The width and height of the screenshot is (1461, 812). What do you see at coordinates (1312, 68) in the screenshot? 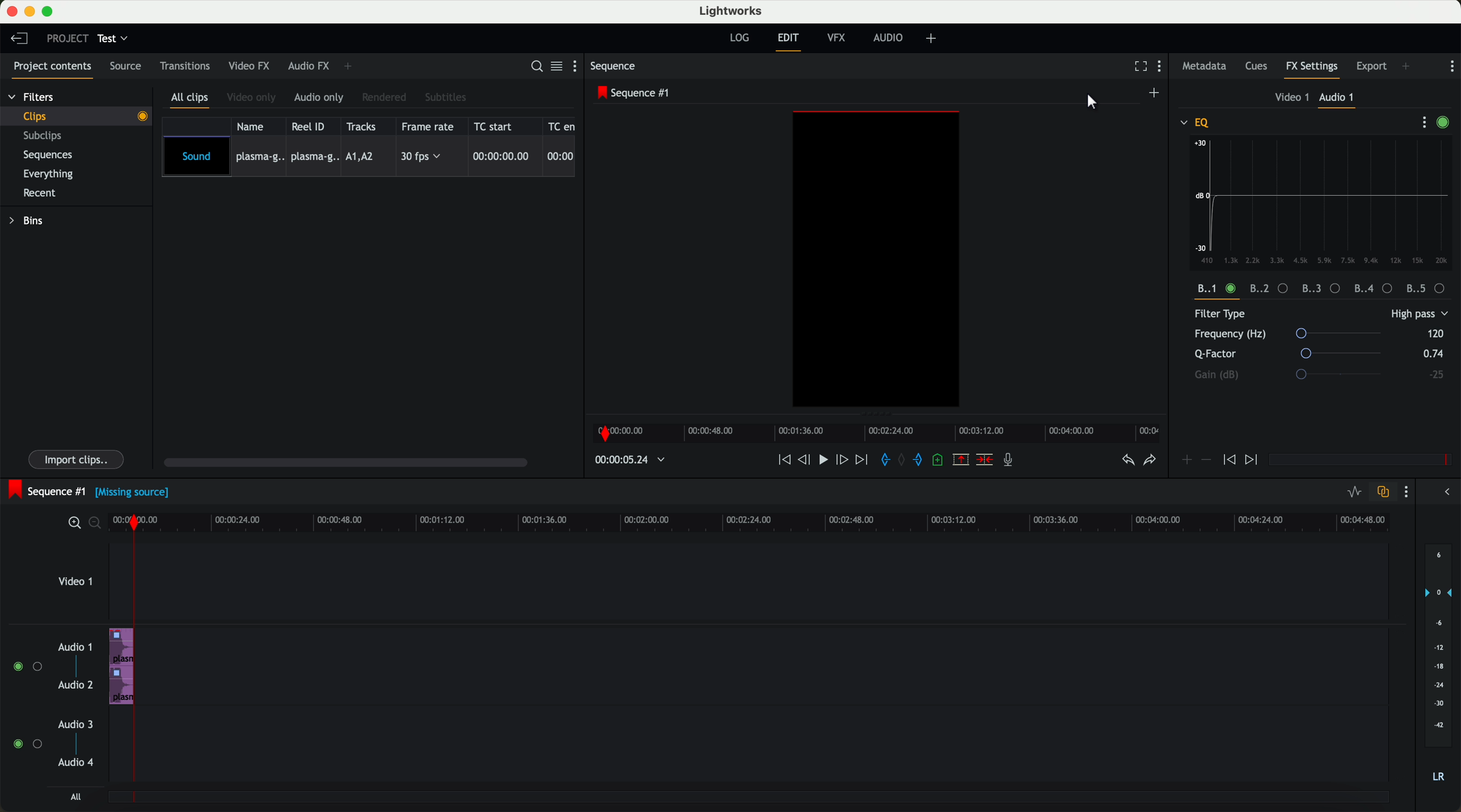
I see `FX settings` at bounding box center [1312, 68].